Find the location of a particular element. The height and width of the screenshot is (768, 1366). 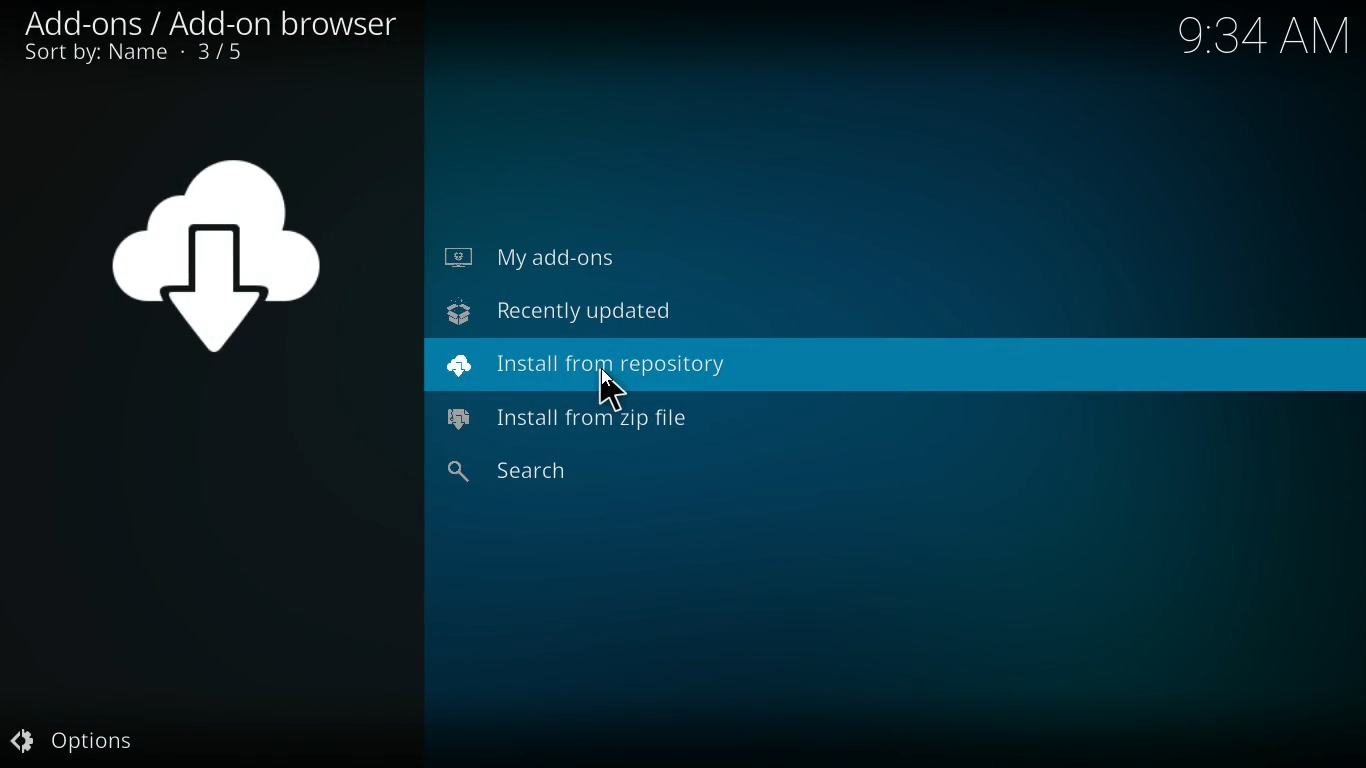

search is located at coordinates (565, 476).